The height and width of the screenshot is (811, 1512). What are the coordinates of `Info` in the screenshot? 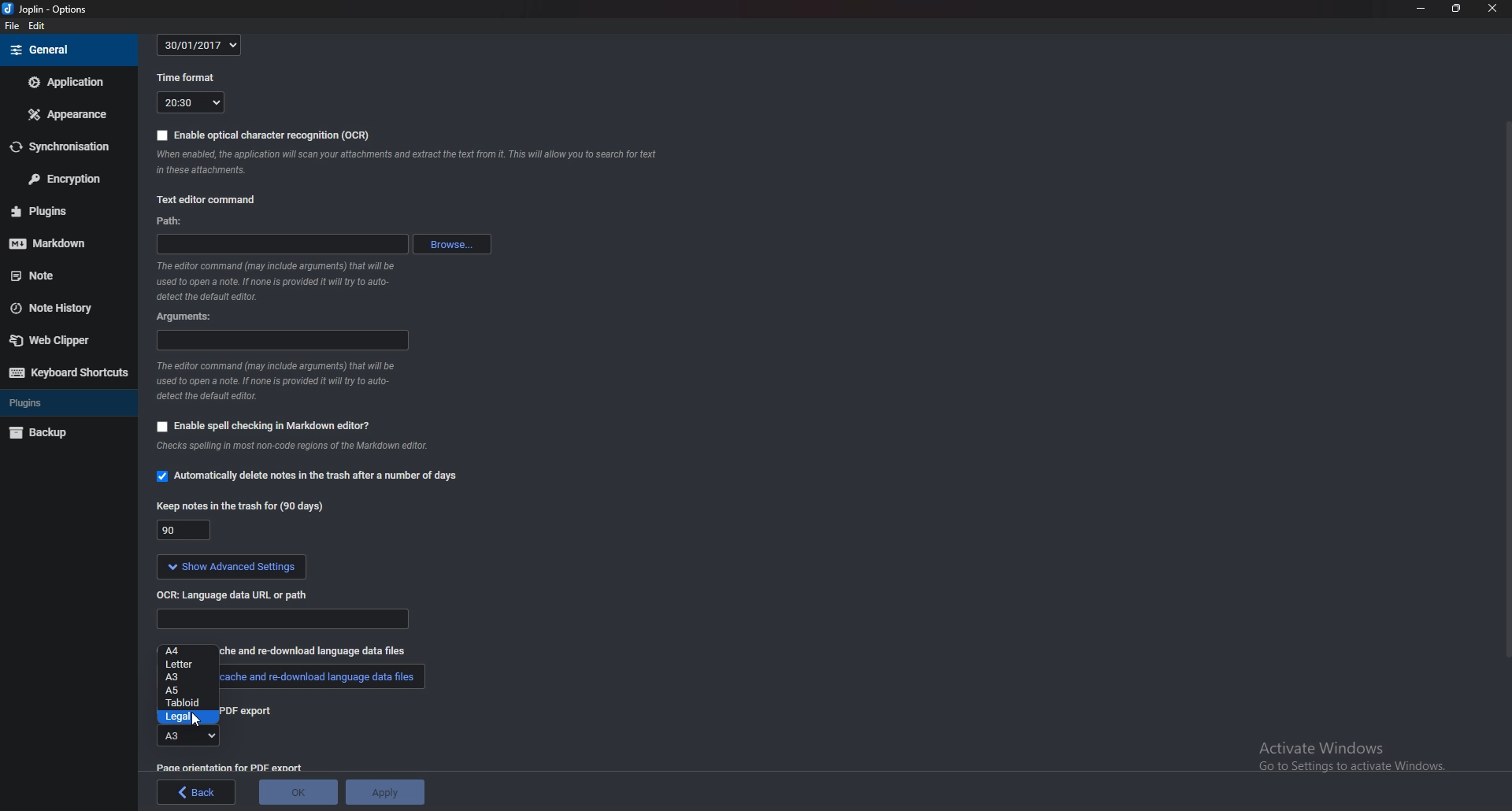 It's located at (283, 383).